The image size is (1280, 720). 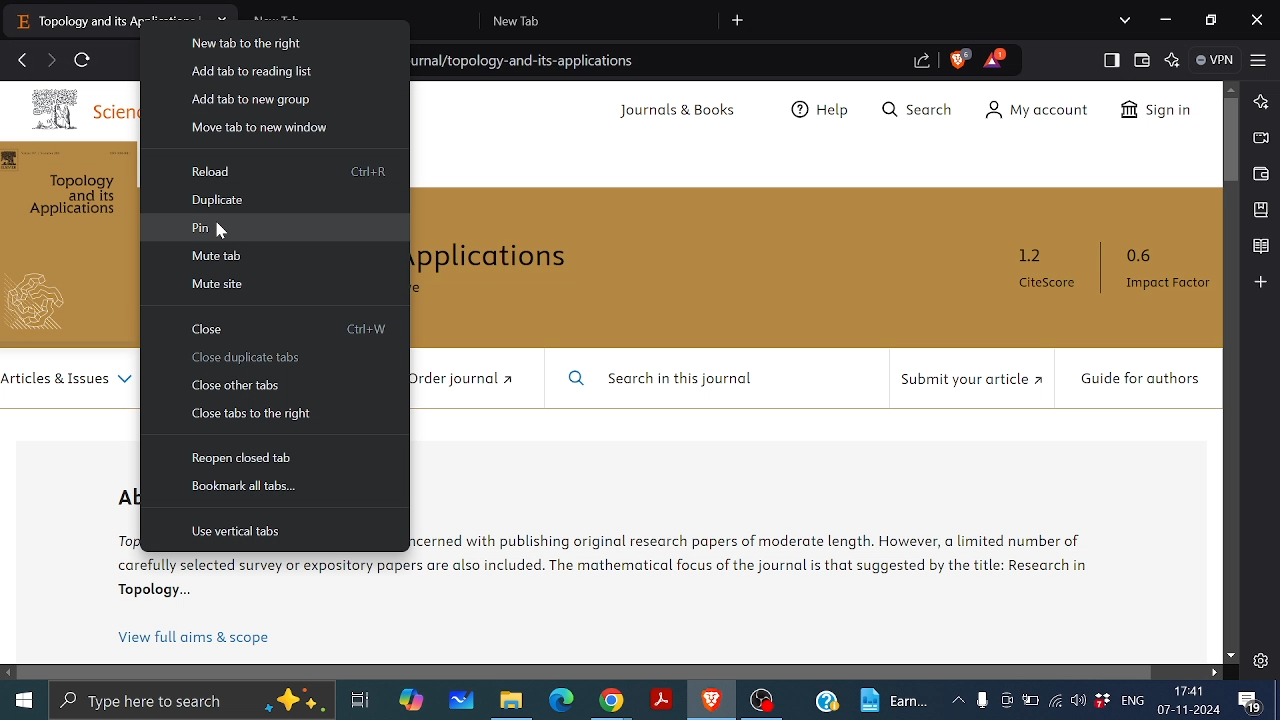 What do you see at coordinates (362, 701) in the screenshot?
I see `Task View` at bounding box center [362, 701].